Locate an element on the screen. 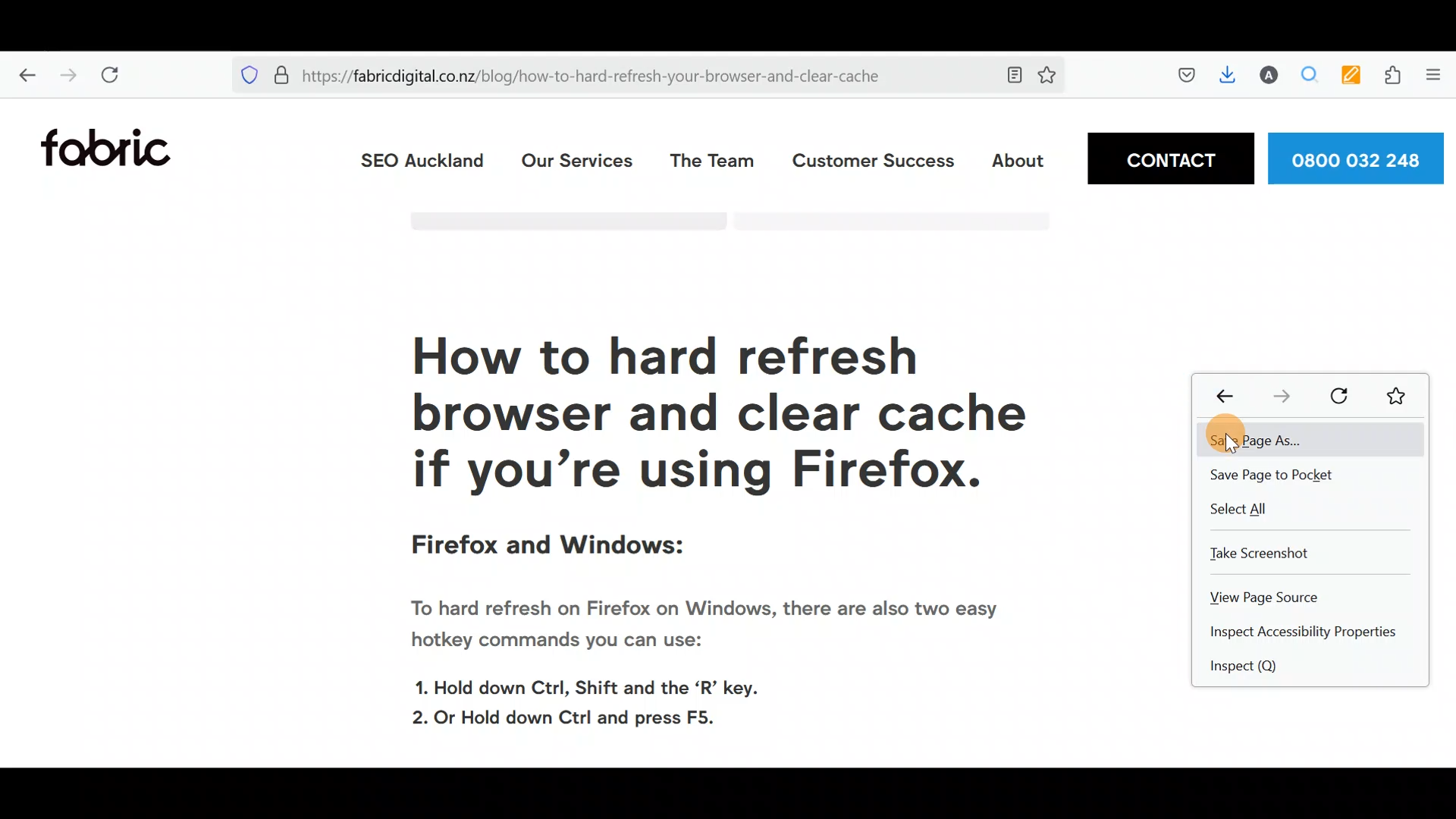 The width and height of the screenshot is (1456, 819). Save page to pocket is located at coordinates (1270, 476).